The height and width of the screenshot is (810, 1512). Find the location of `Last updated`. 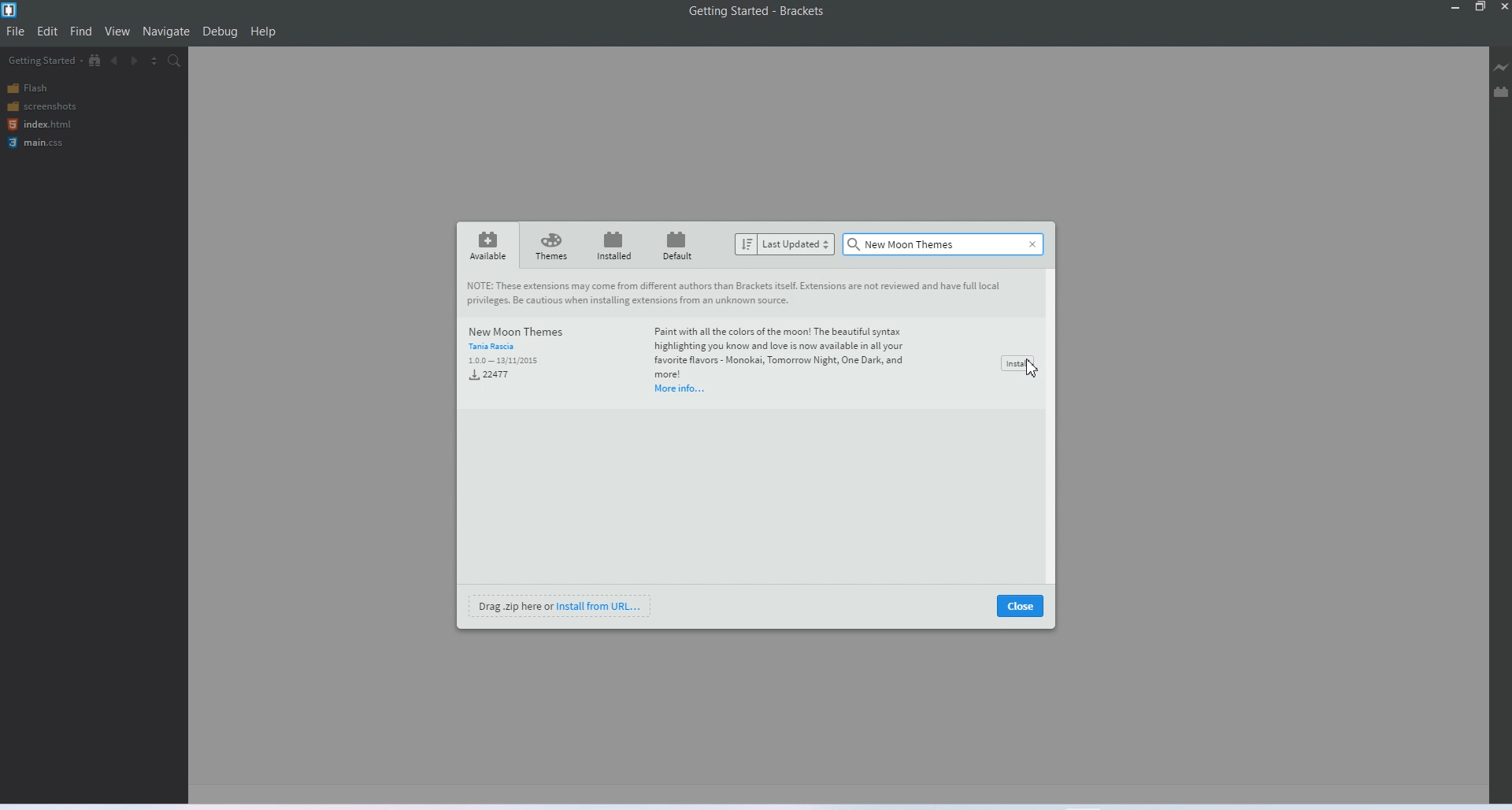

Last updated is located at coordinates (785, 243).